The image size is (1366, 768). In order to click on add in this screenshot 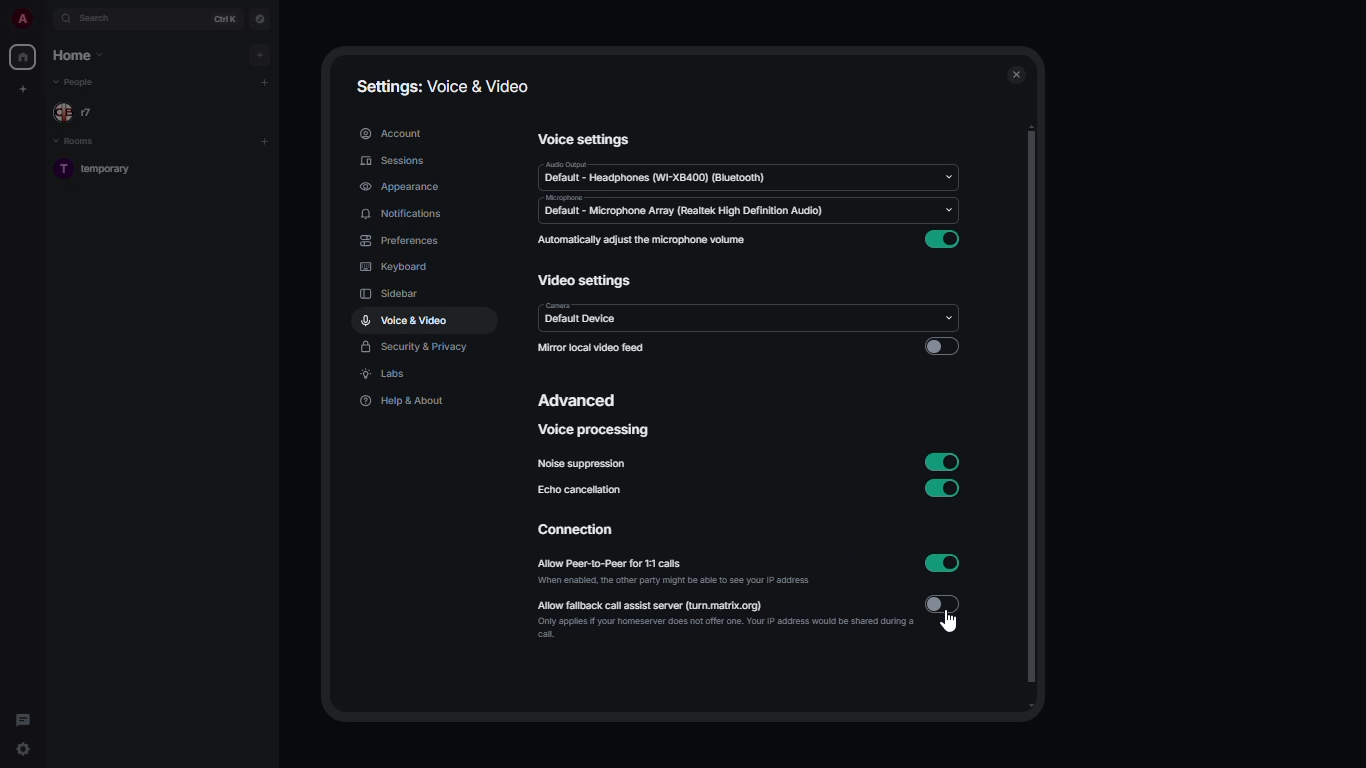, I will do `click(264, 139)`.